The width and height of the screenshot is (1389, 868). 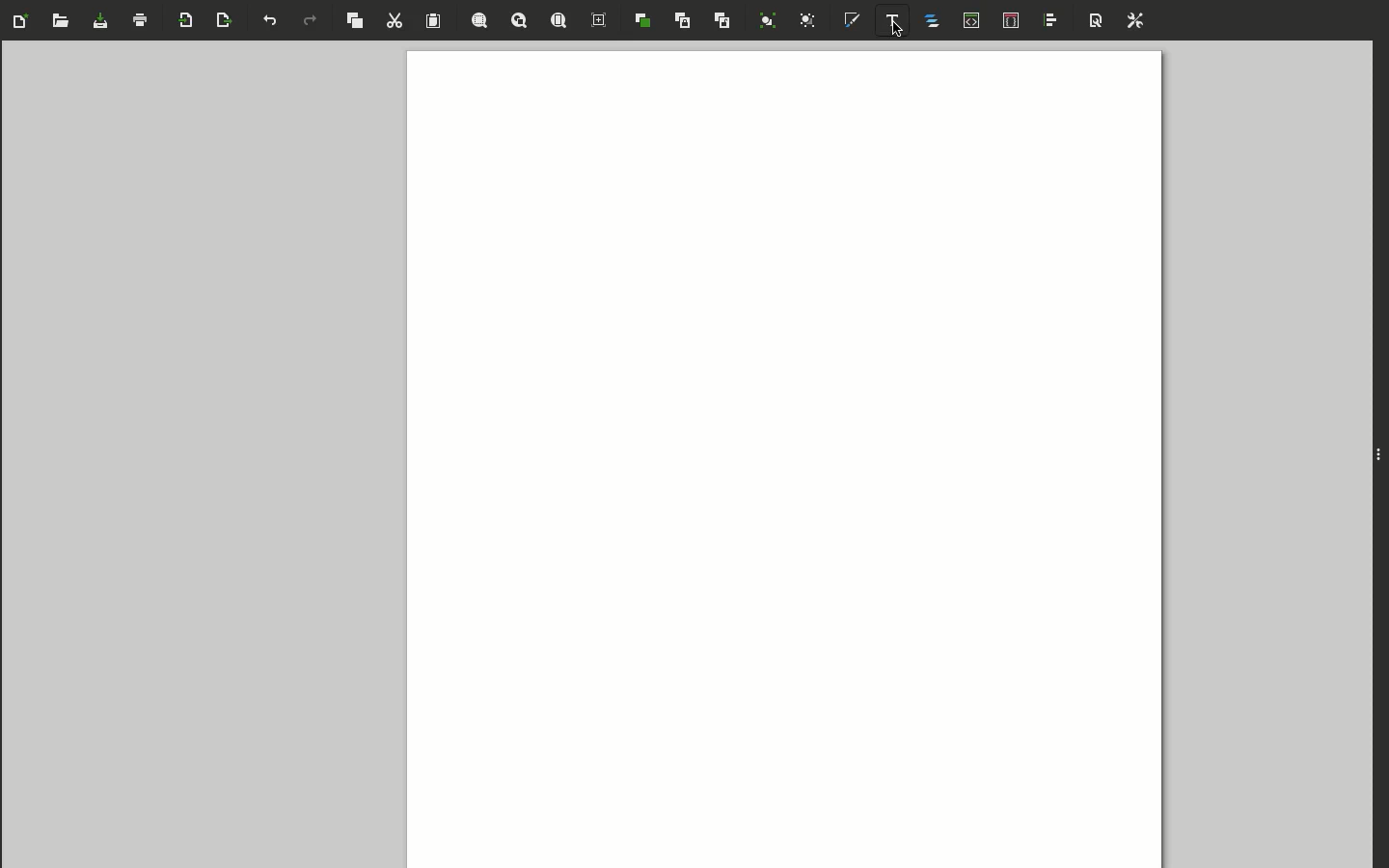 I want to click on Fill and stroke, so click(x=858, y=21).